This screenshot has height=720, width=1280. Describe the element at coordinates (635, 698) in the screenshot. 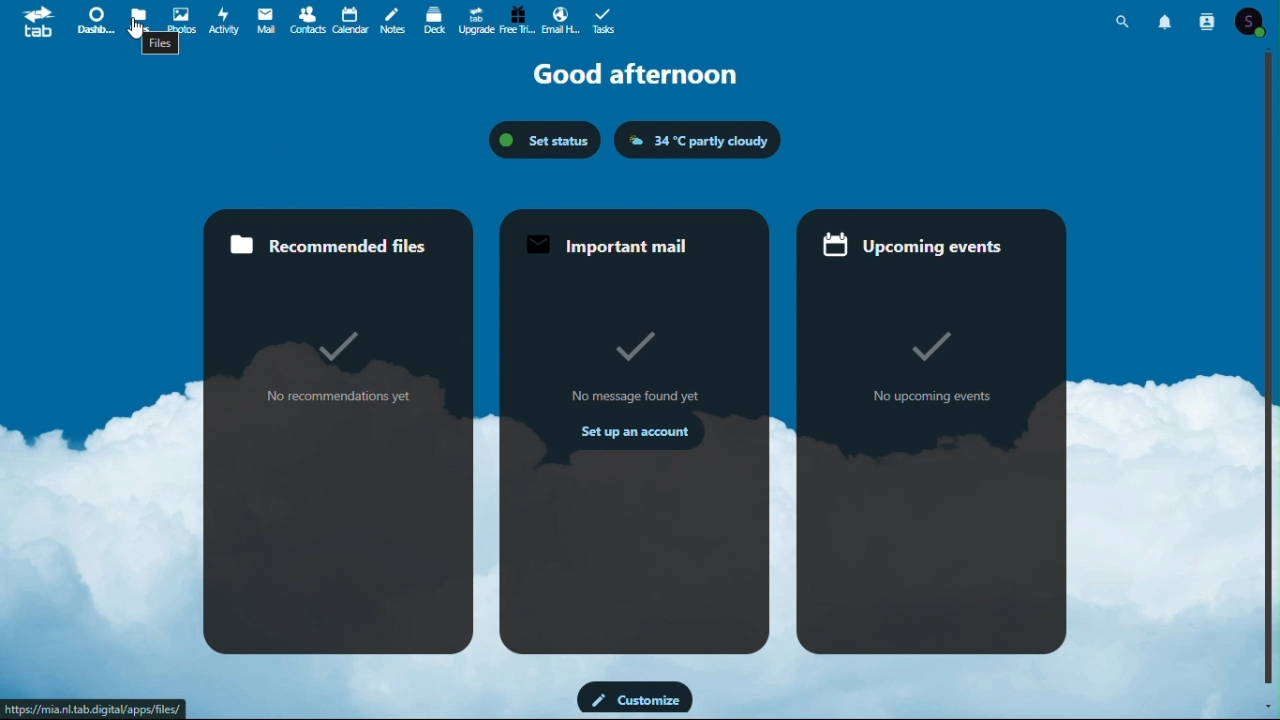

I see `Customise` at that location.